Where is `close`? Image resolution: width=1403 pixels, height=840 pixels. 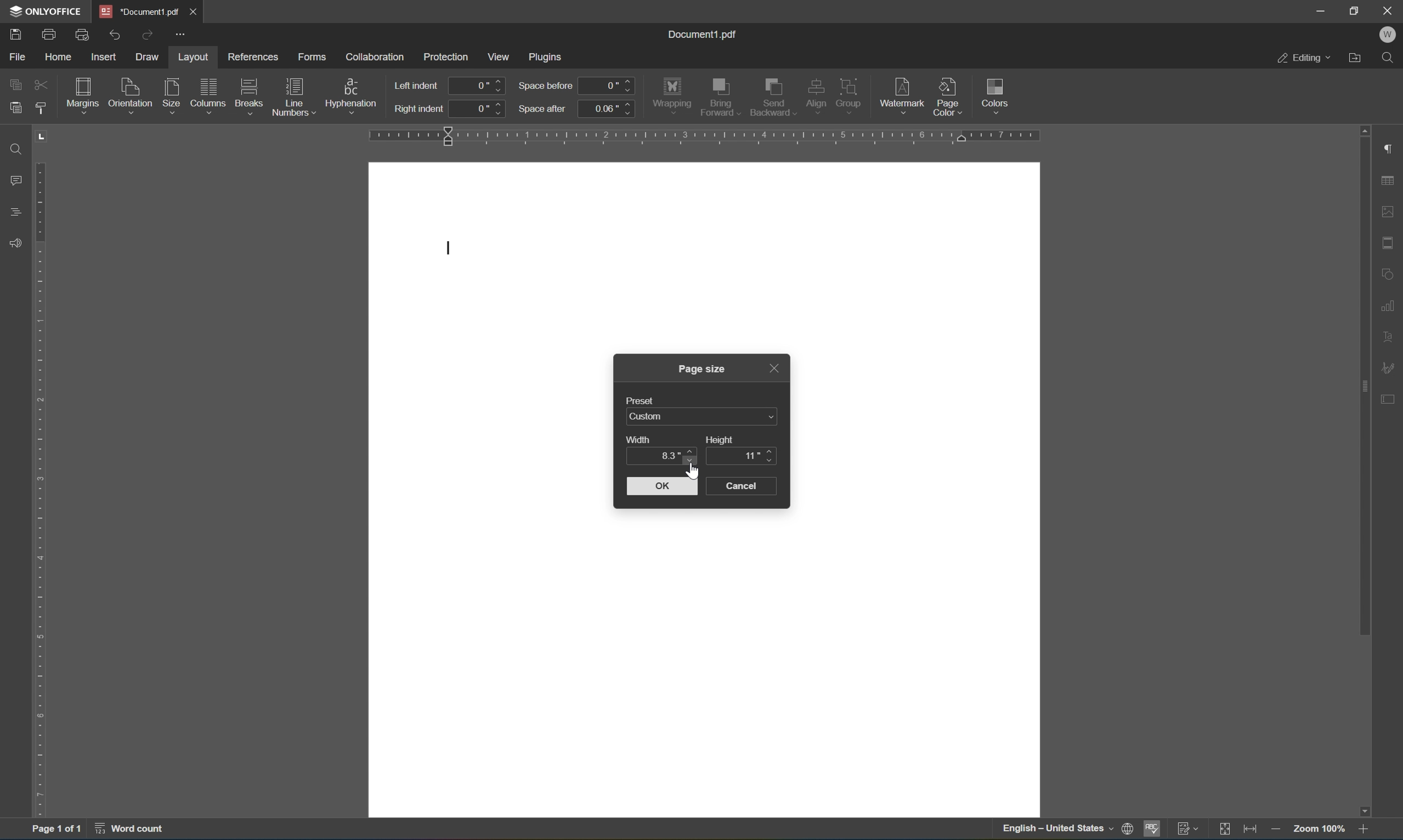 close is located at coordinates (1388, 10).